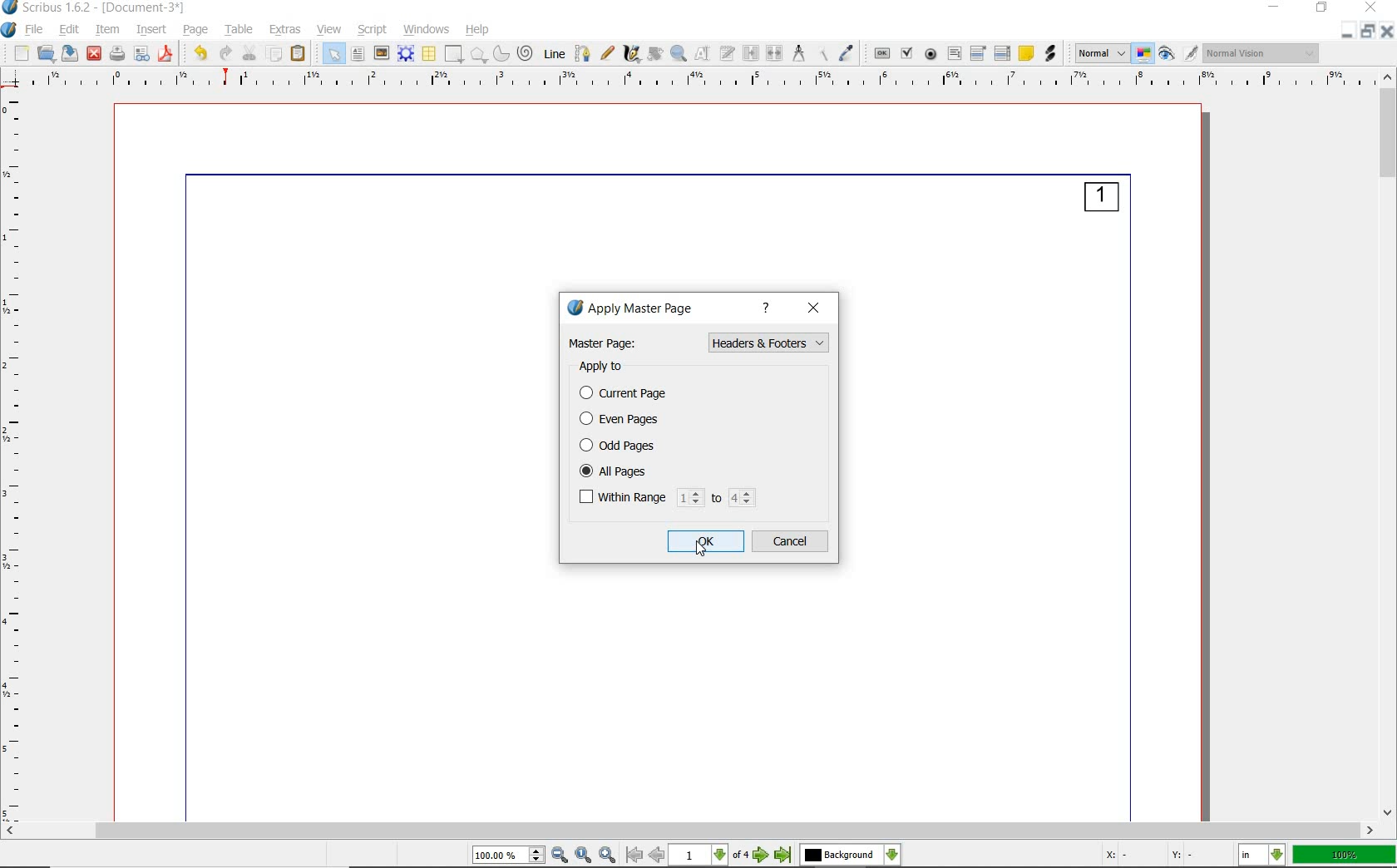 This screenshot has width=1397, height=868. What do you see at coordinates (21, 52) in the screenshot?
I see `new` at bounding box center [21, 52].